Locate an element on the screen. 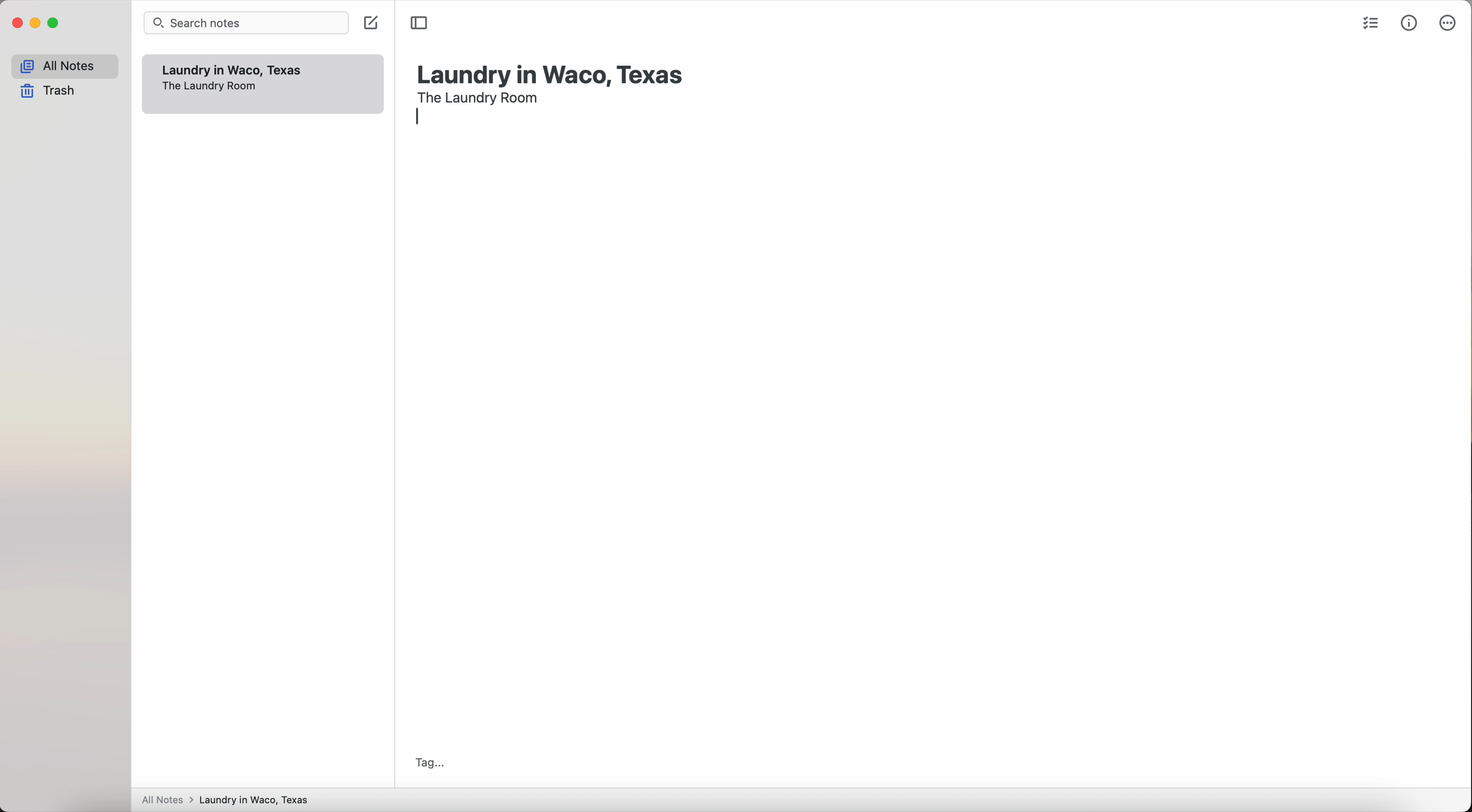  tag is located at coordinates (426, 763).